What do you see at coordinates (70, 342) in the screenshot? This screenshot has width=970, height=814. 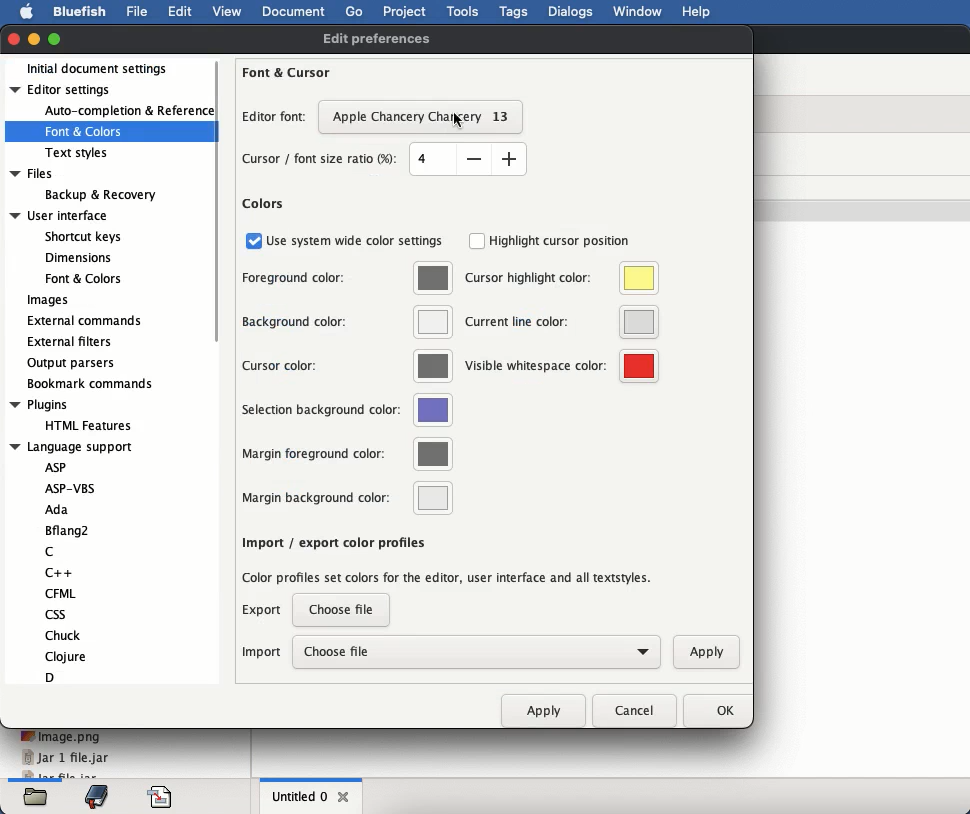 I see `external filters ` at bounding box center [70, 342].